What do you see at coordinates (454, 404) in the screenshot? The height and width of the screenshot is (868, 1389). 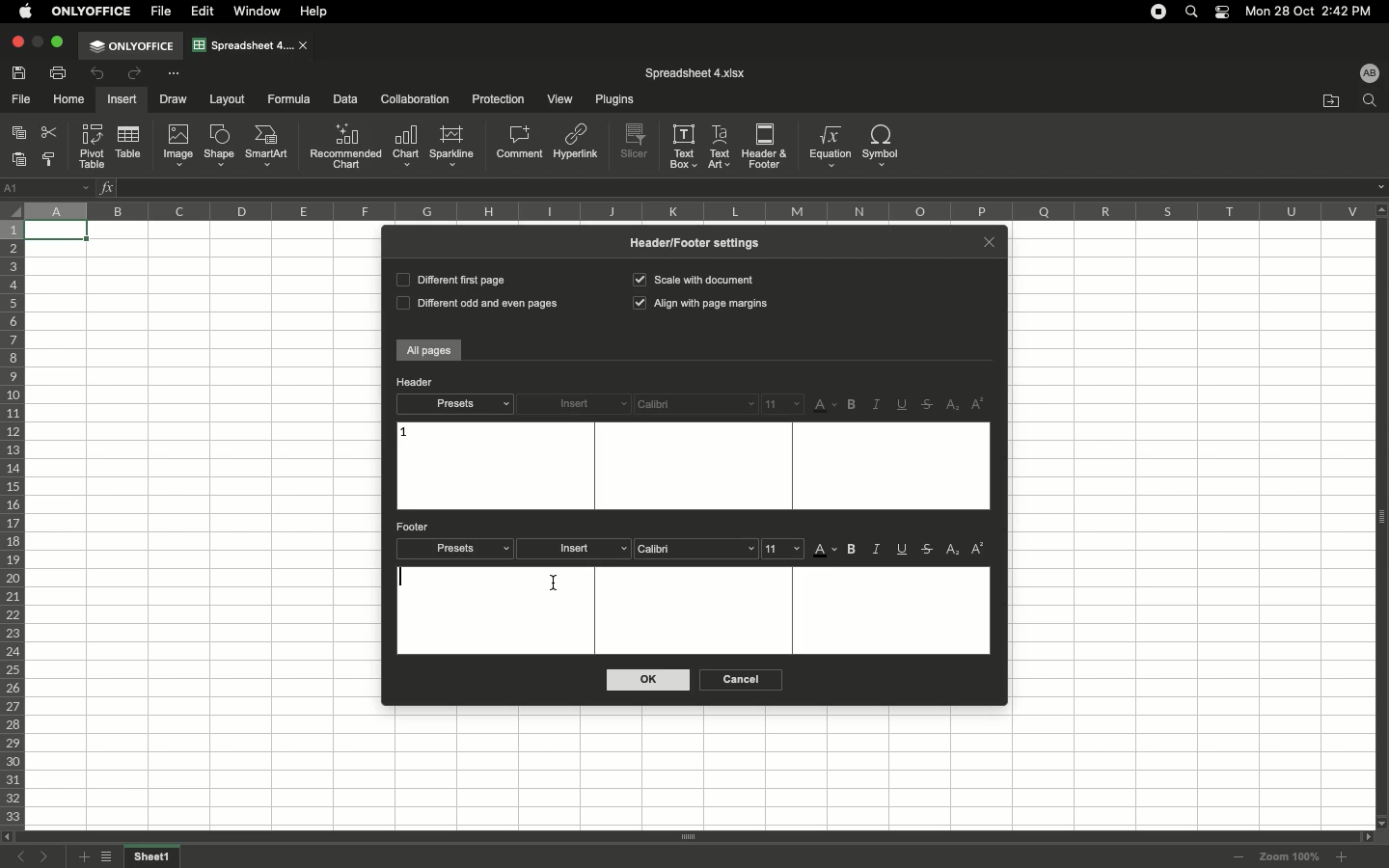 I see `Presets` at bounding box center [454, 404].